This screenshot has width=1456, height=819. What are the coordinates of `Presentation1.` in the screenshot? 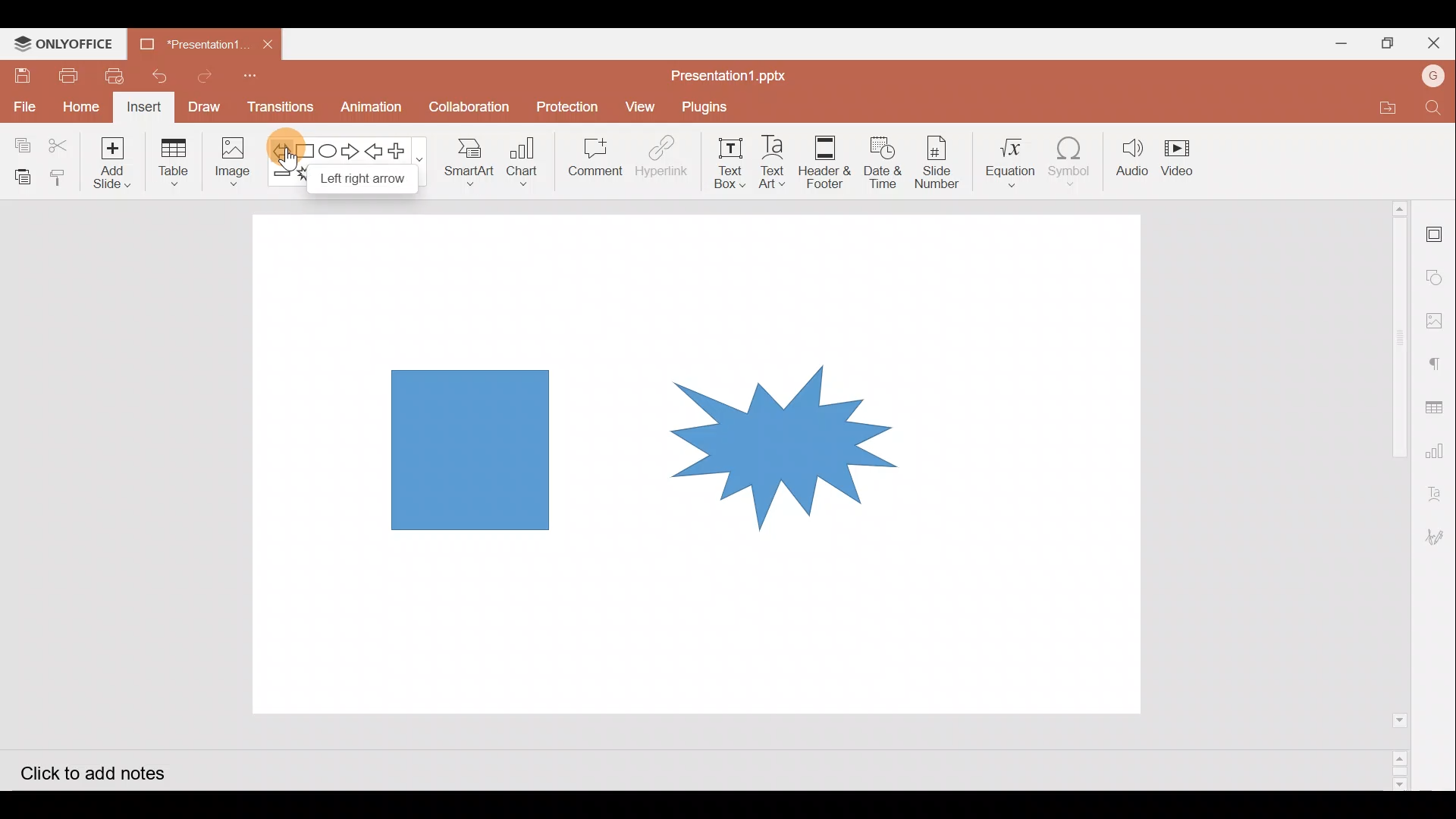 It's located at (191, 42).